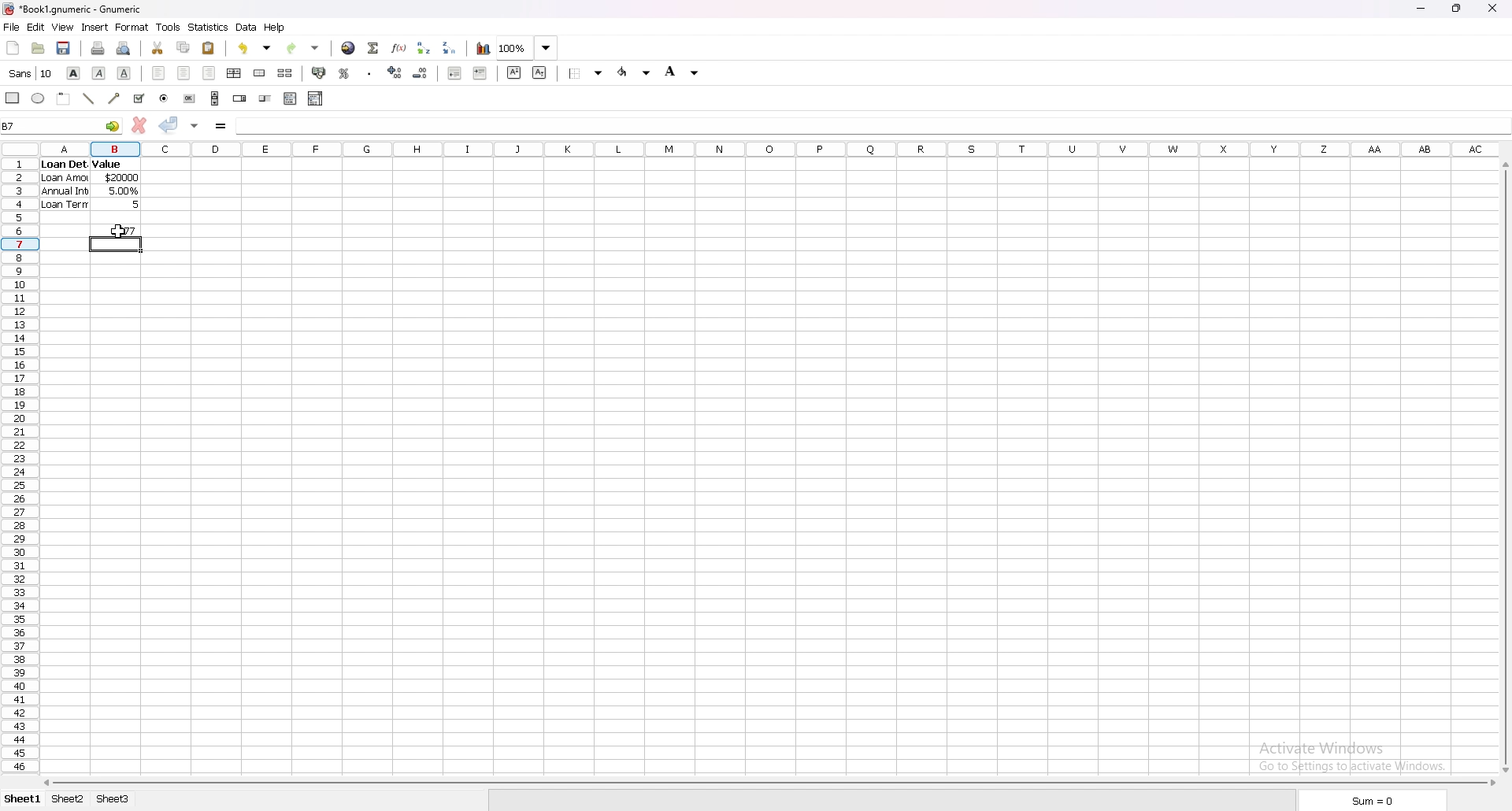  What do you see at coordinates (65, 47) in the screenshot?
I see `save` at bounding box center [65, 47].